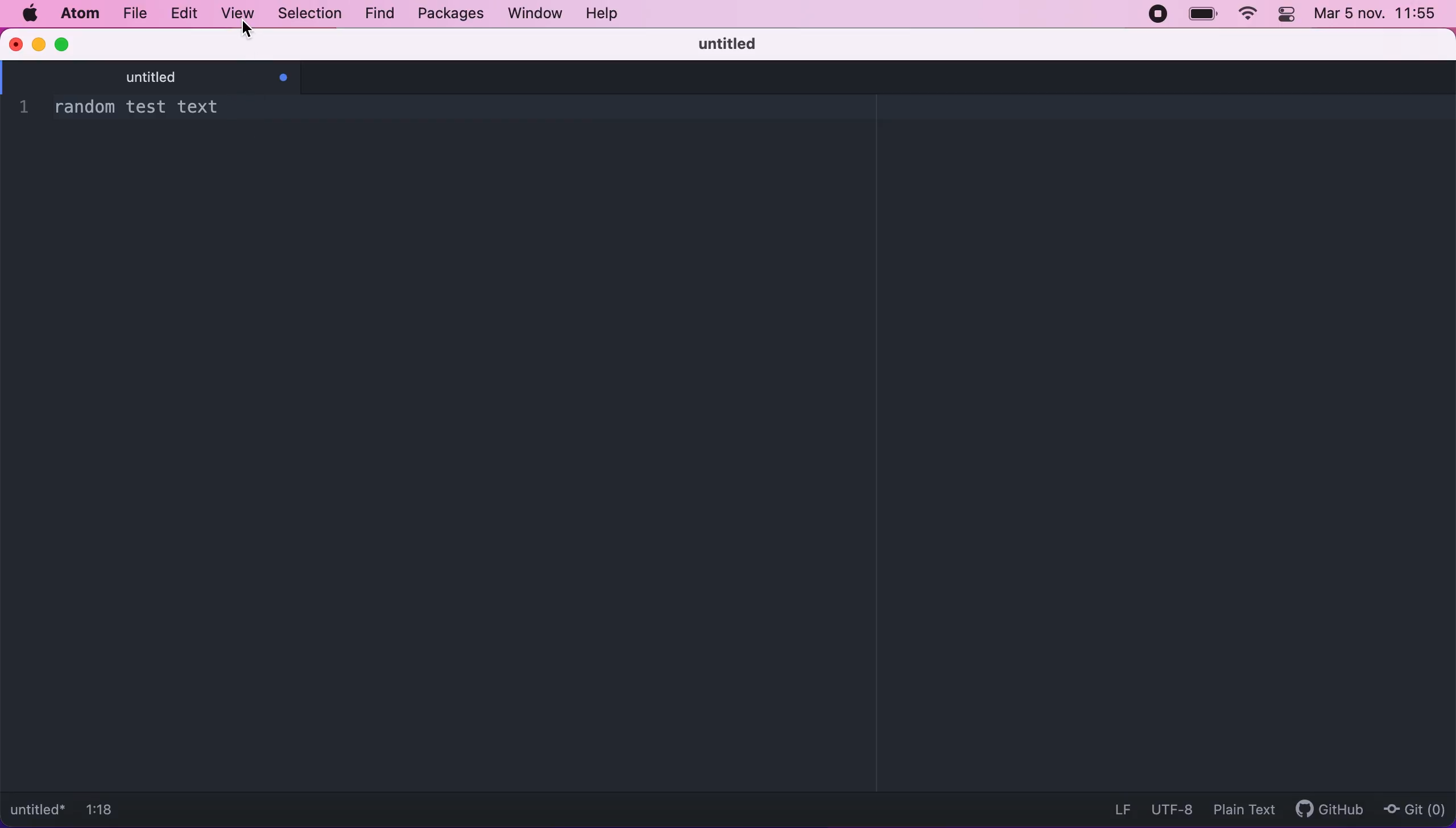 This screenshot has height=828, width=1456. I want to click on recording stopped, so click(1155, 15).